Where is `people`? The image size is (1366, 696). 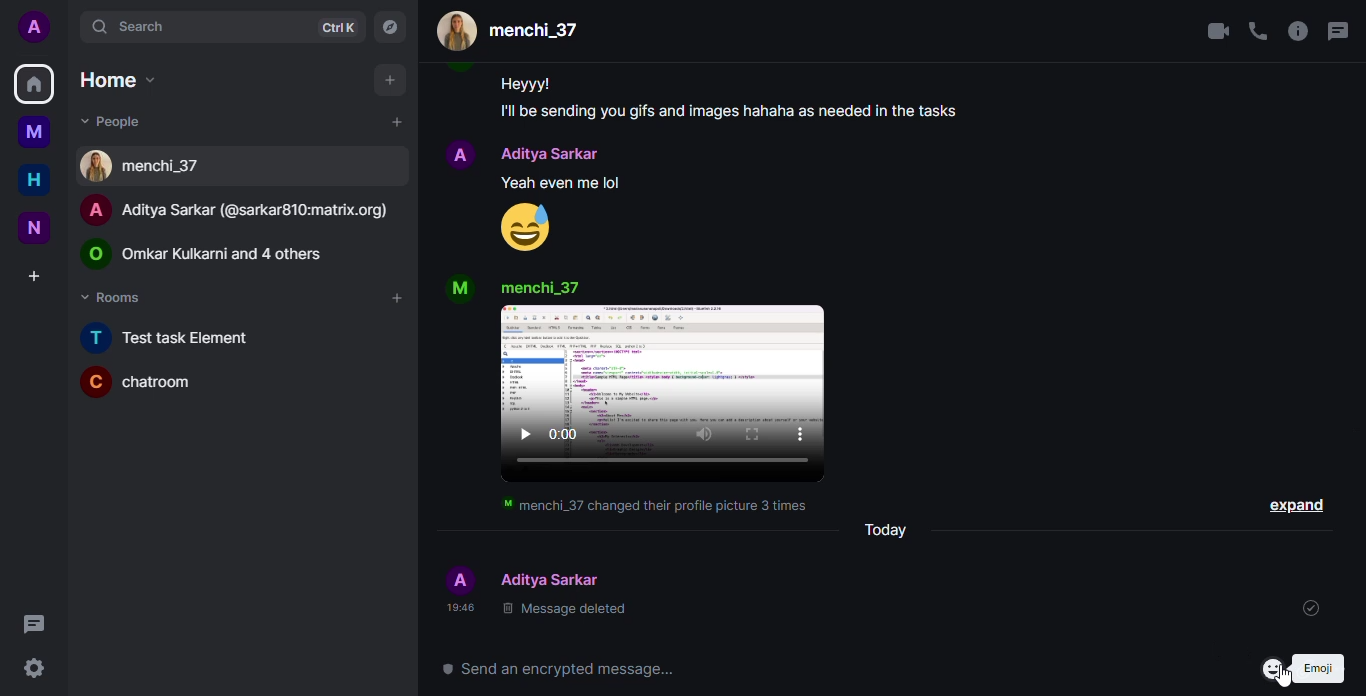
people is located at coordinates (113, 120).